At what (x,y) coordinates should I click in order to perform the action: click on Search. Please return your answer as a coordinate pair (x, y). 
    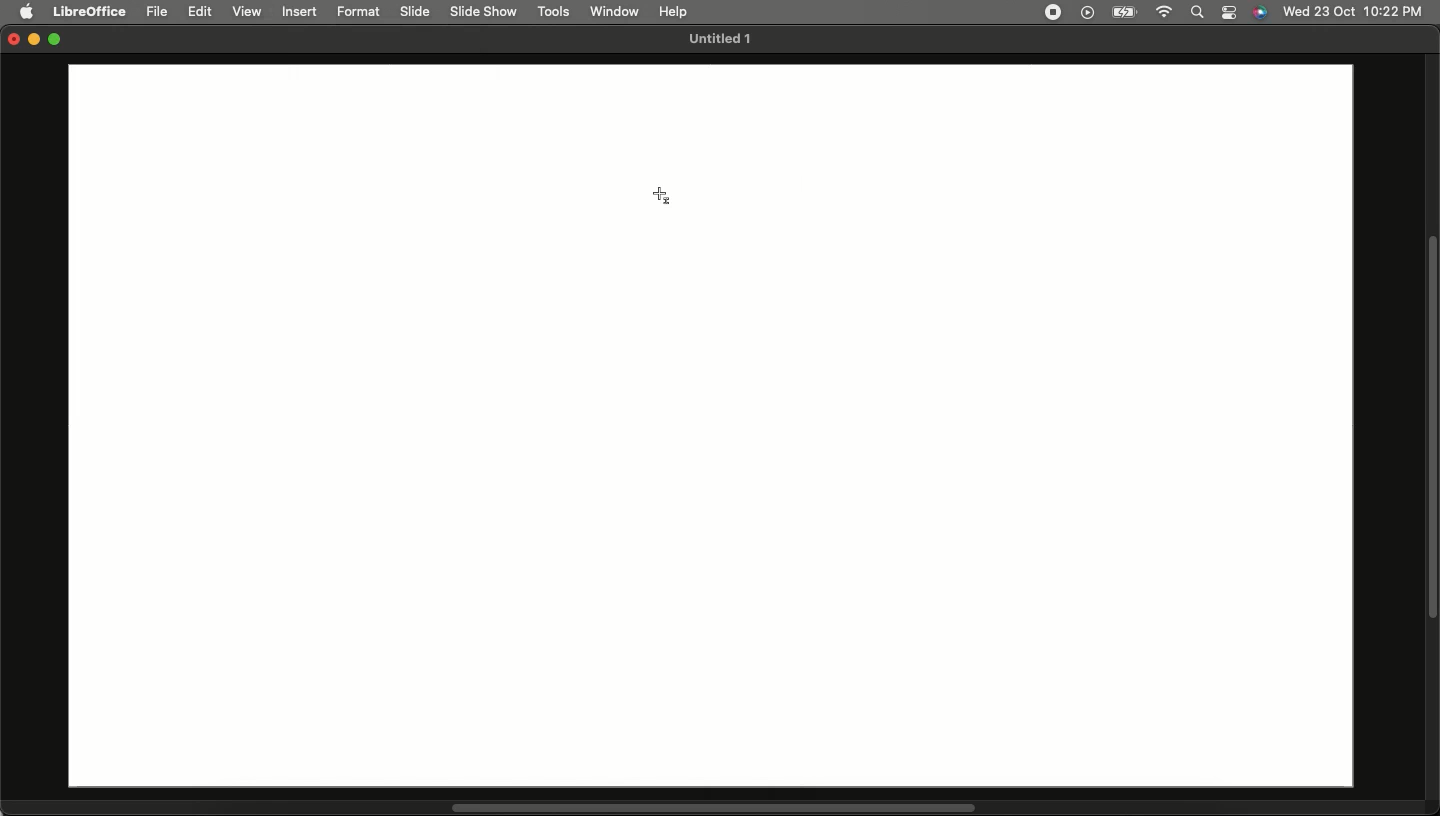
    Looking at the image, I should click on (1196, 13).